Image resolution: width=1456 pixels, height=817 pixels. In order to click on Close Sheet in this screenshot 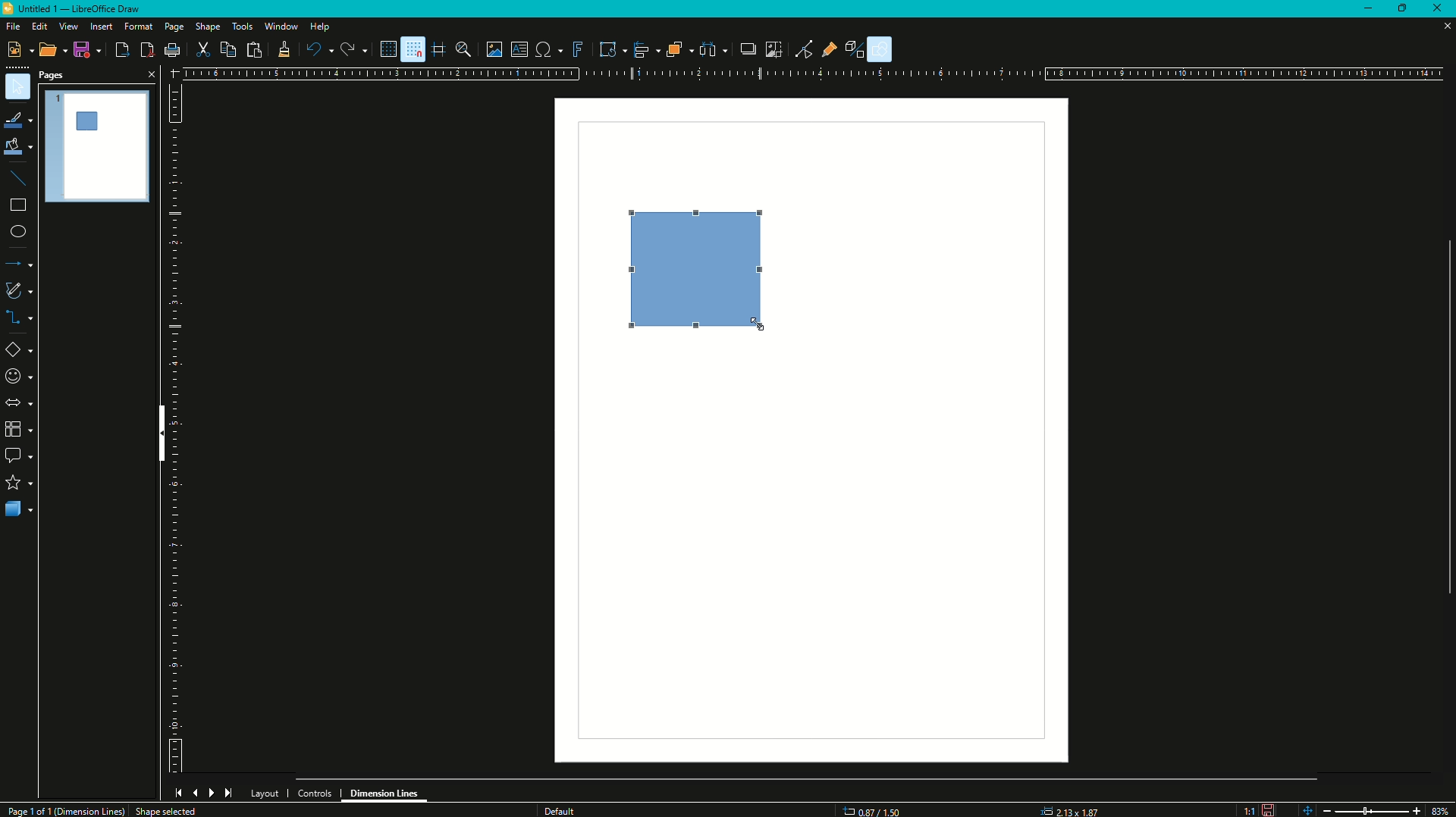, I will do `click(1441, 28)`.